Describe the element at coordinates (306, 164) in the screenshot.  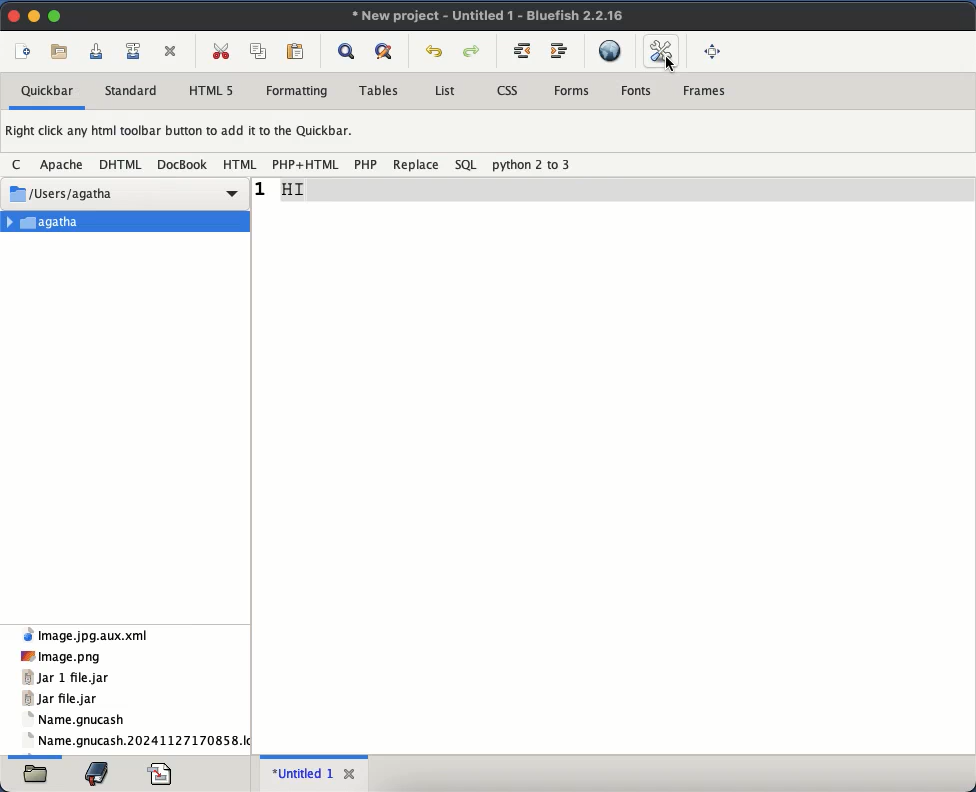
I see `php+html` at that location.